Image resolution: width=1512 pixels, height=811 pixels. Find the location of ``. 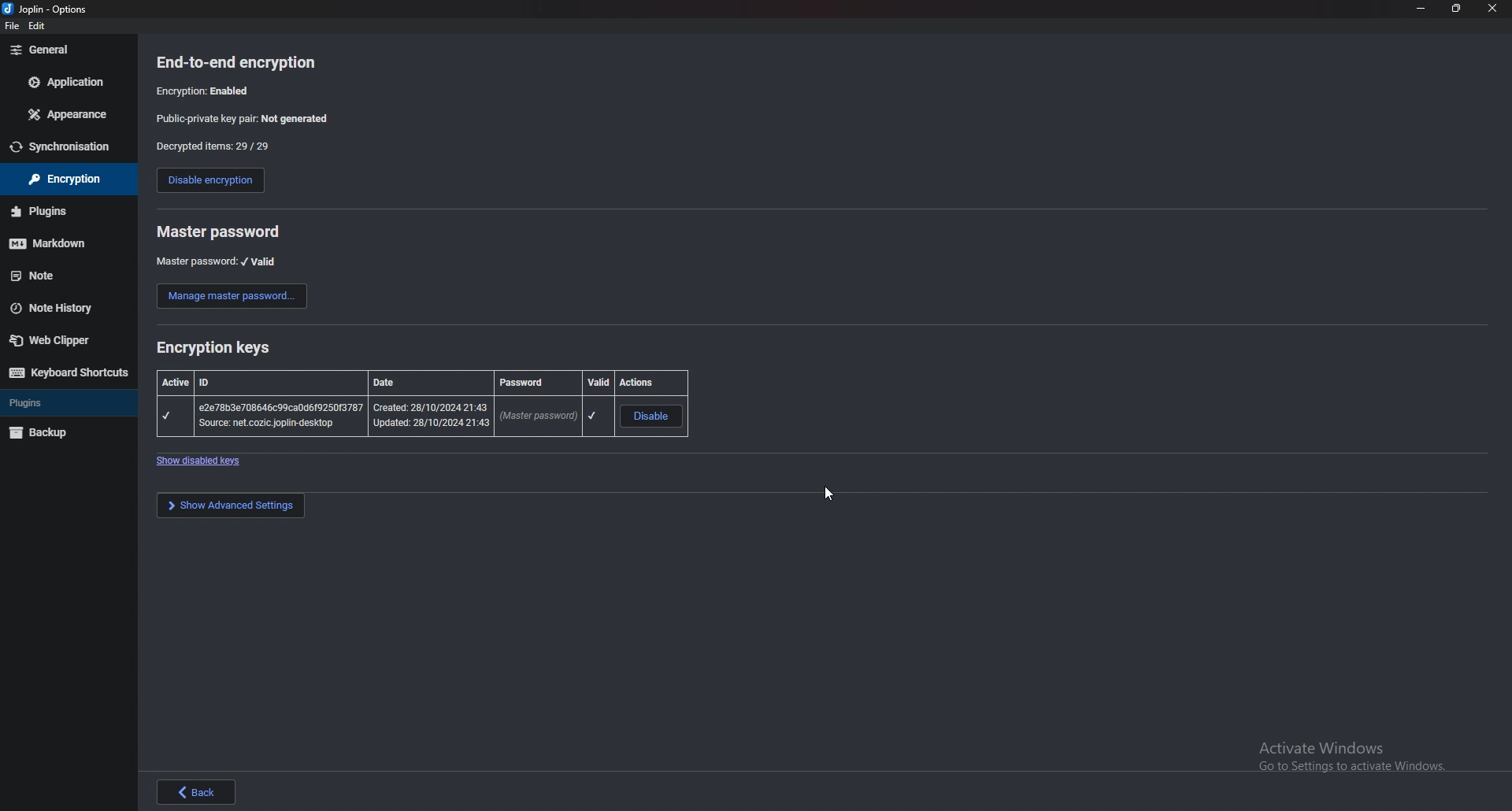

 is located at coordinates (203, 461).